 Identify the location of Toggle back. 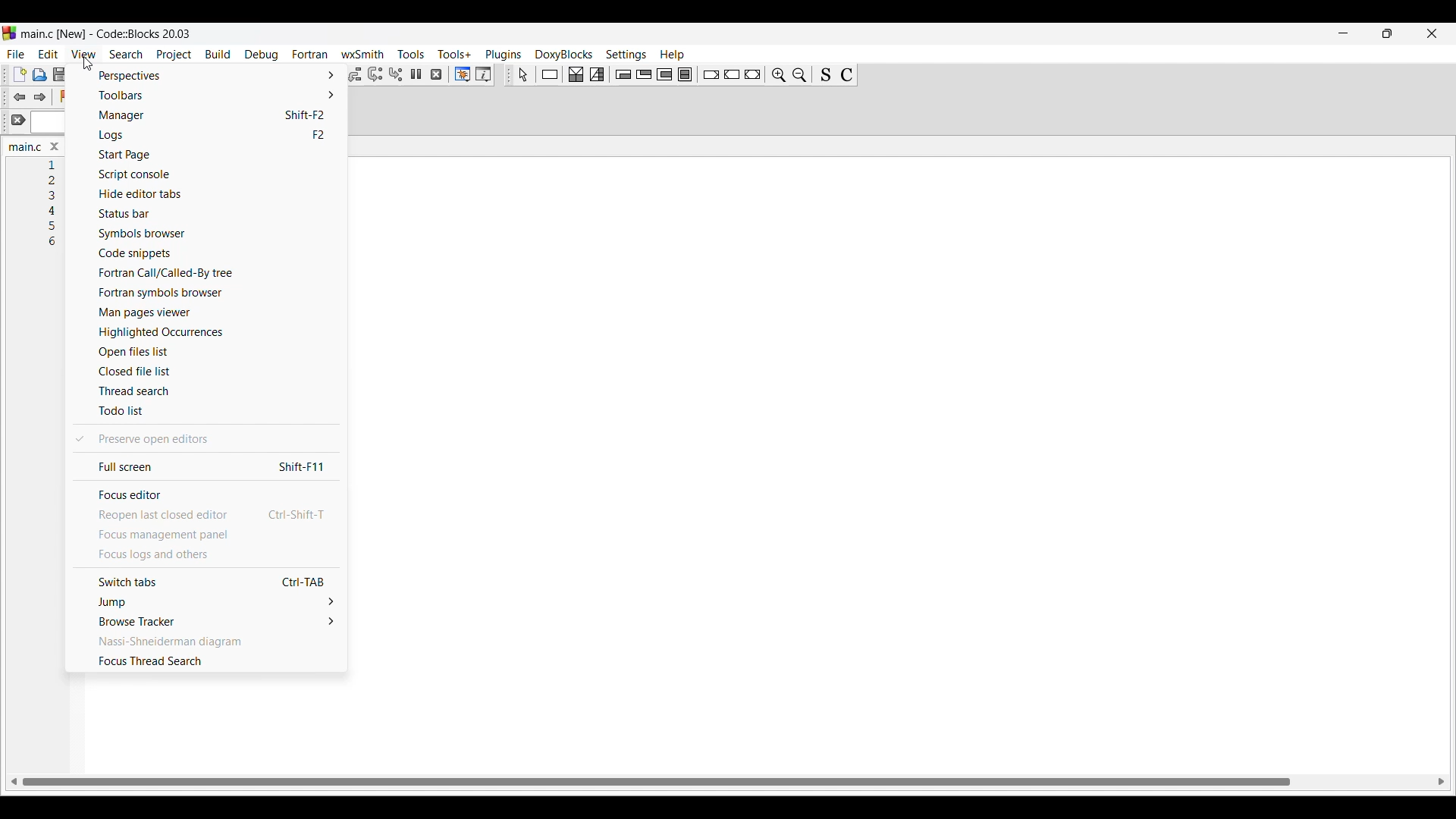
(19, 97).